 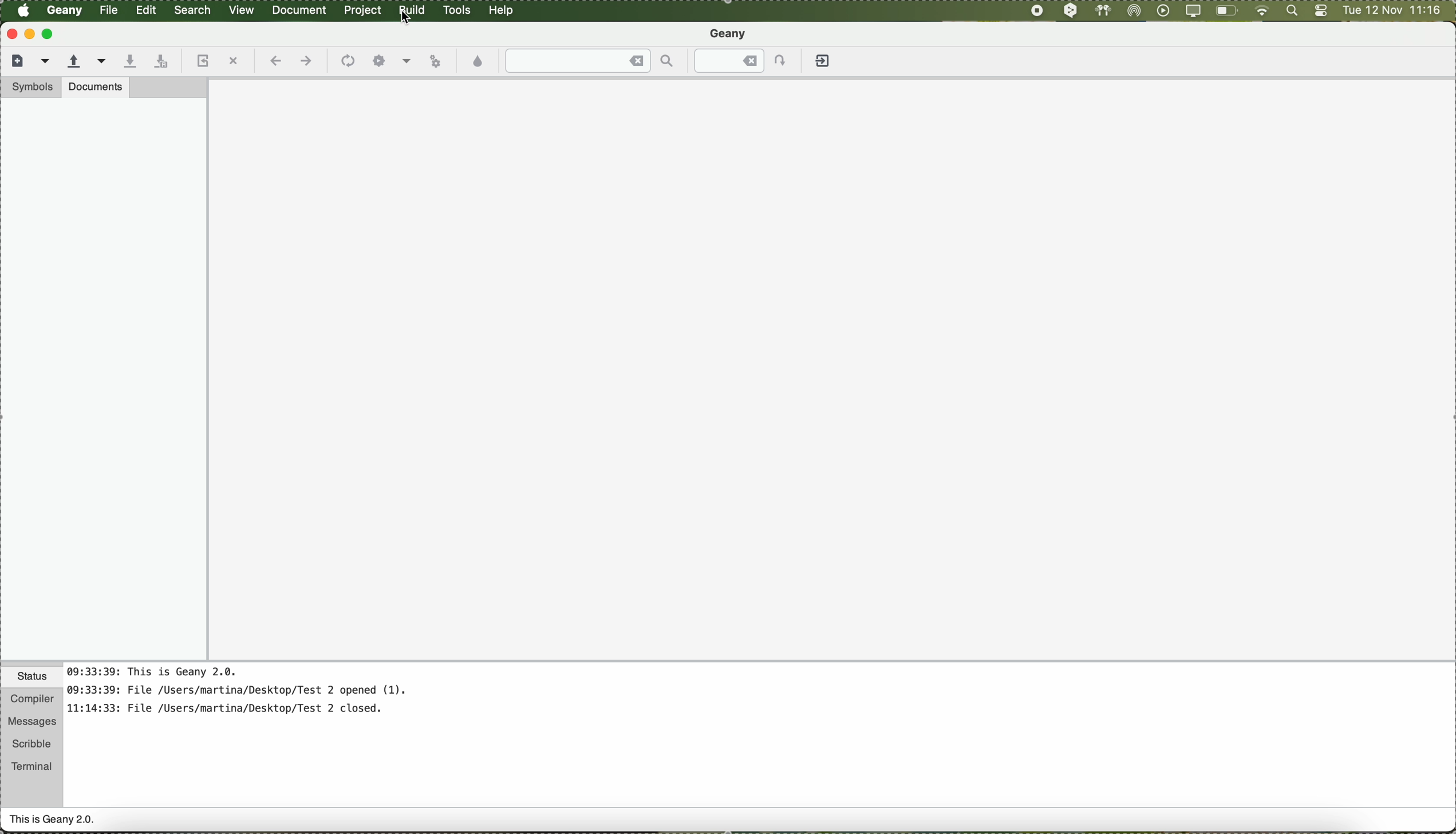 I want to click on workspace, so click(x=832, y=369).